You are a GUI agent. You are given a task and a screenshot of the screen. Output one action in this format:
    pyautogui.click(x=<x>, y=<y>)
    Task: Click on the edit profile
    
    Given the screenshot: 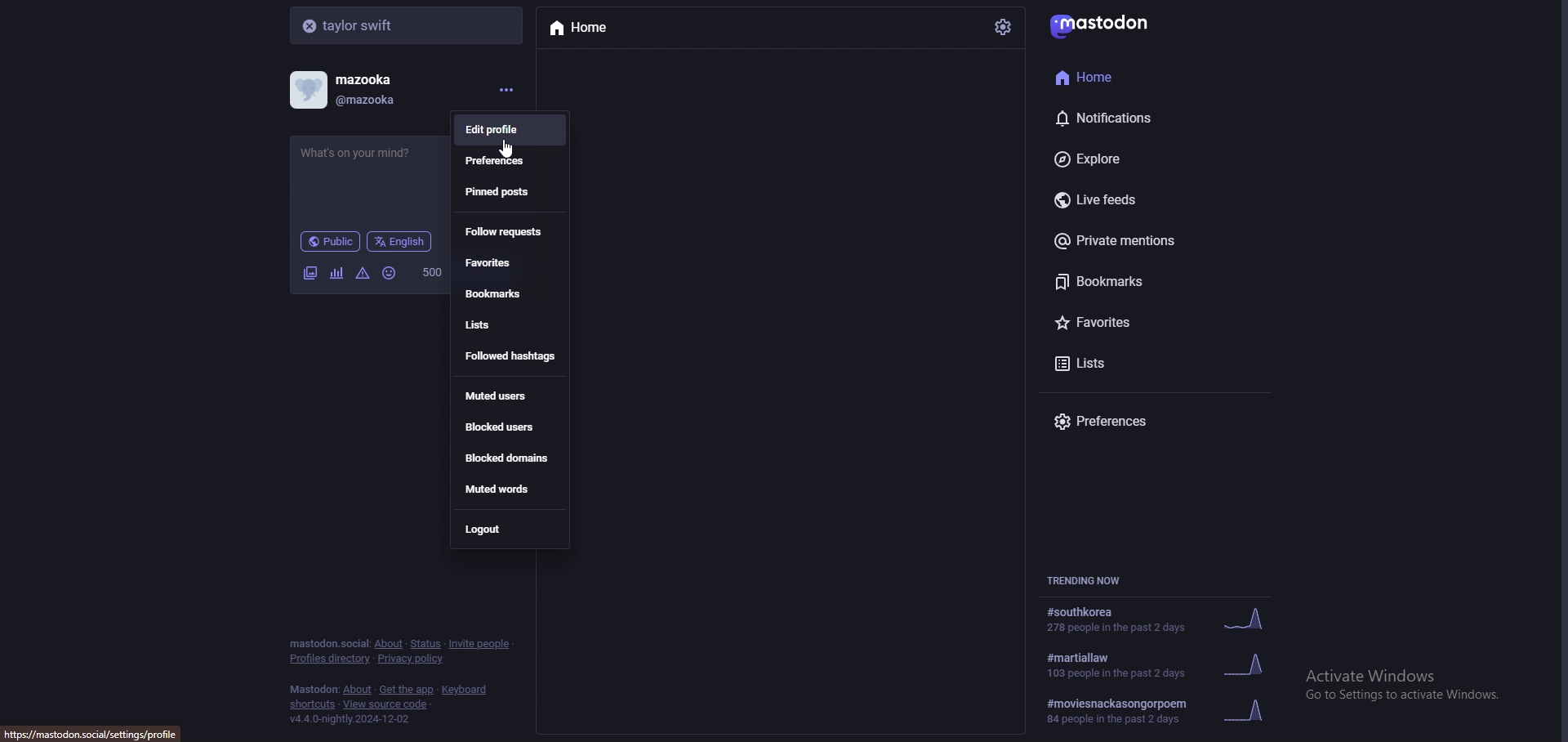 What is the action you would take?
    pyautogui.click(x=512, y=131)
    